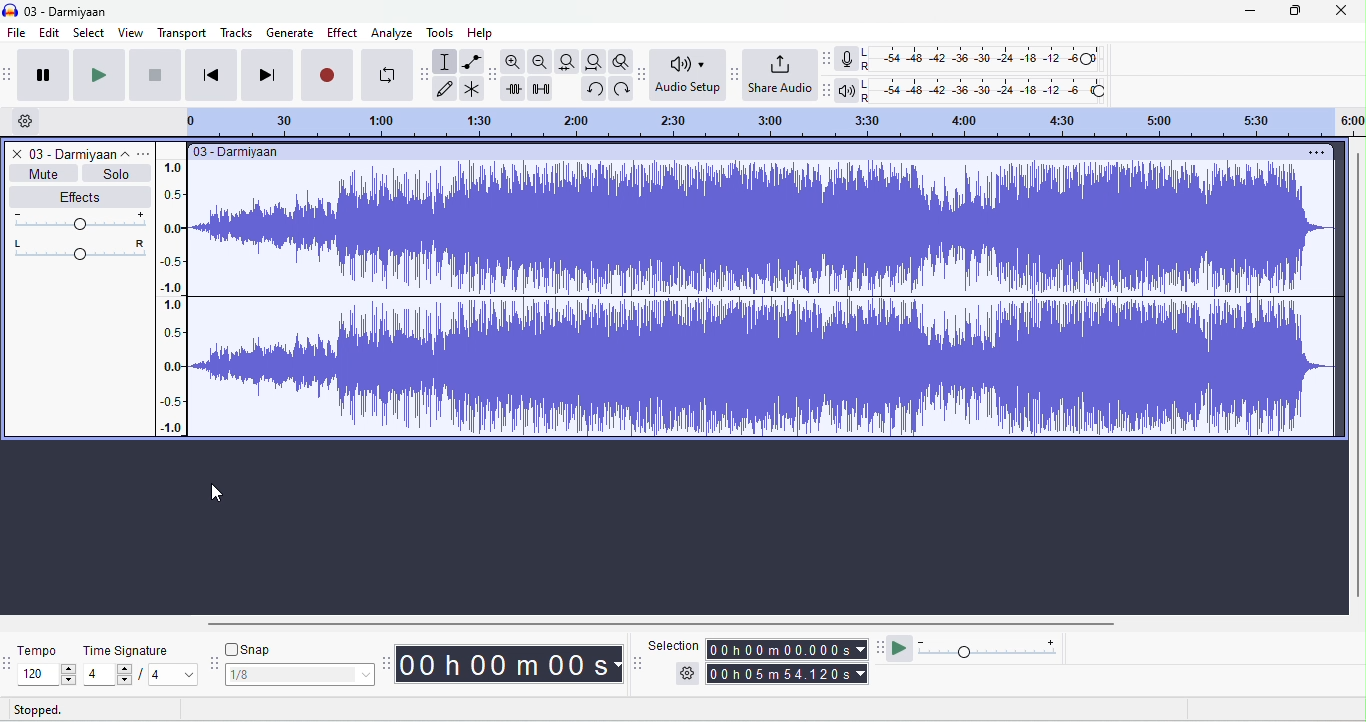  I want to click on share audio toolbar, so click(734, 73).